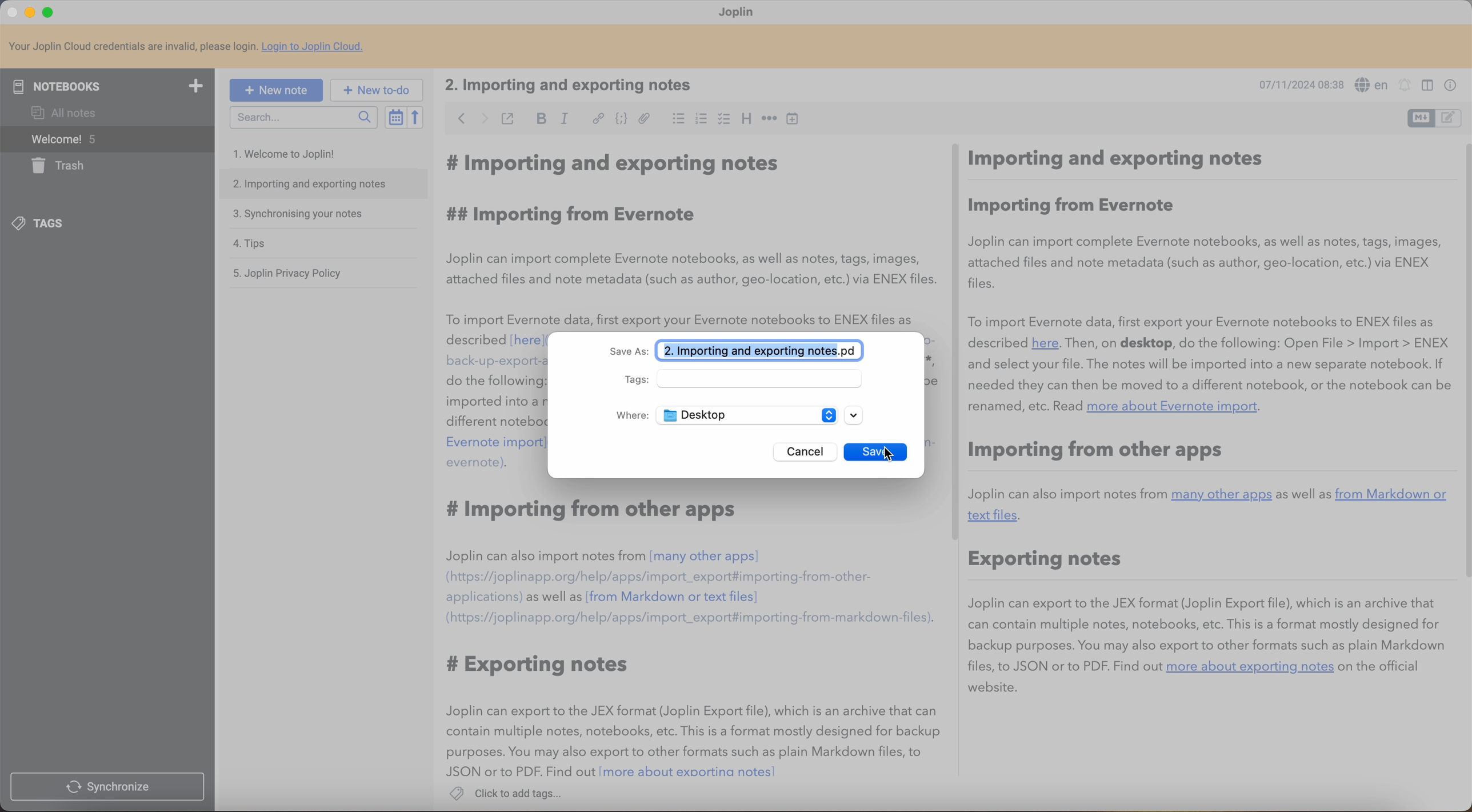 This screenshot has height=812, width=1472. What do you see at coordinates (380, 90) in the screenshot?
I see `new to-do` at bounding box center [380, 90].